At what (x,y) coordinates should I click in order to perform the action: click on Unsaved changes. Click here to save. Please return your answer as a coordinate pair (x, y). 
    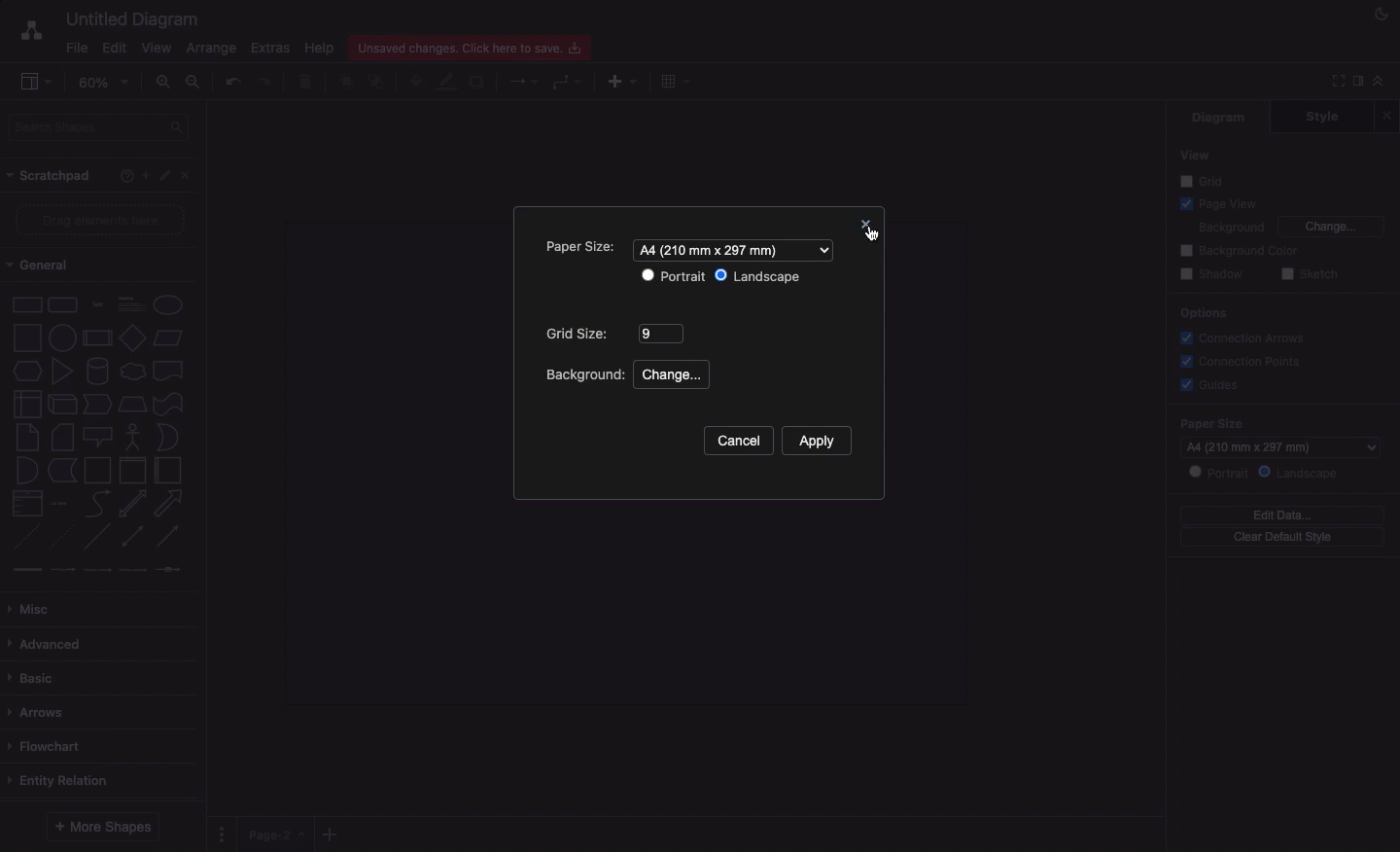
    Looking at the image, I should click on (472, 47).